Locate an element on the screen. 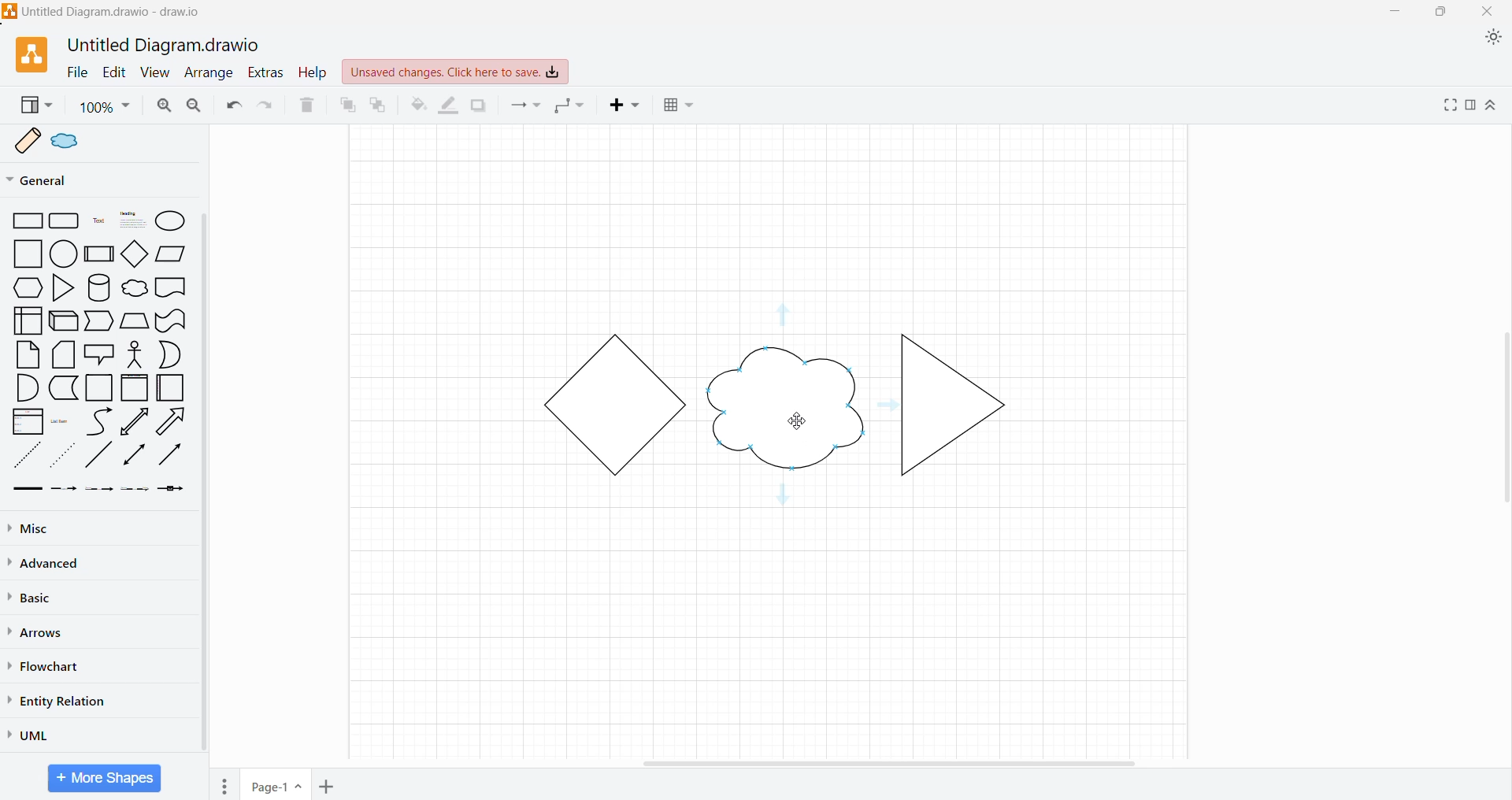  File is located at coordinates (76, 72).